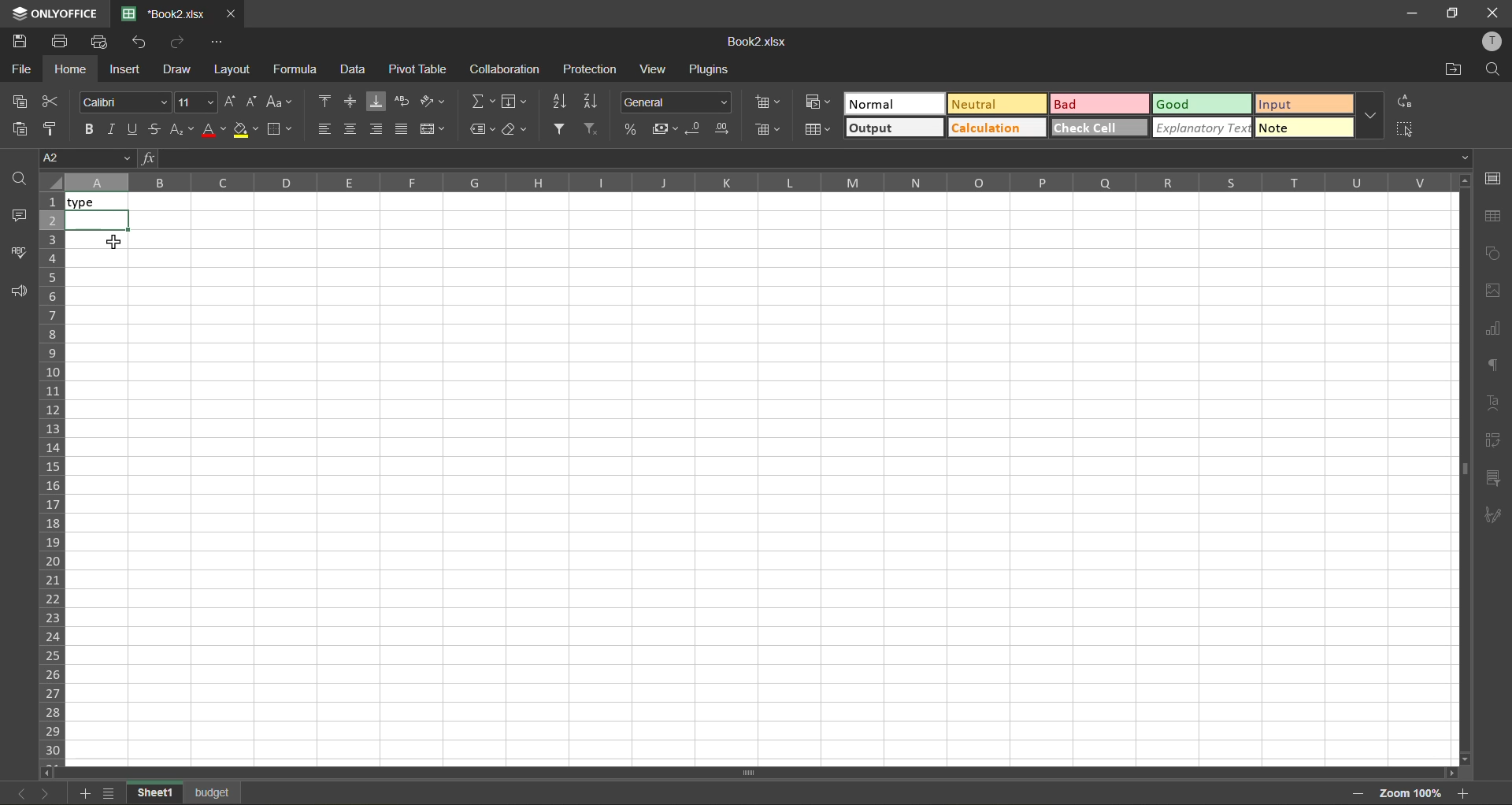 The image size is (1512, 805). Describe the element at coordinates (52, 127) in the screenshot. I see `copy style` at that location.